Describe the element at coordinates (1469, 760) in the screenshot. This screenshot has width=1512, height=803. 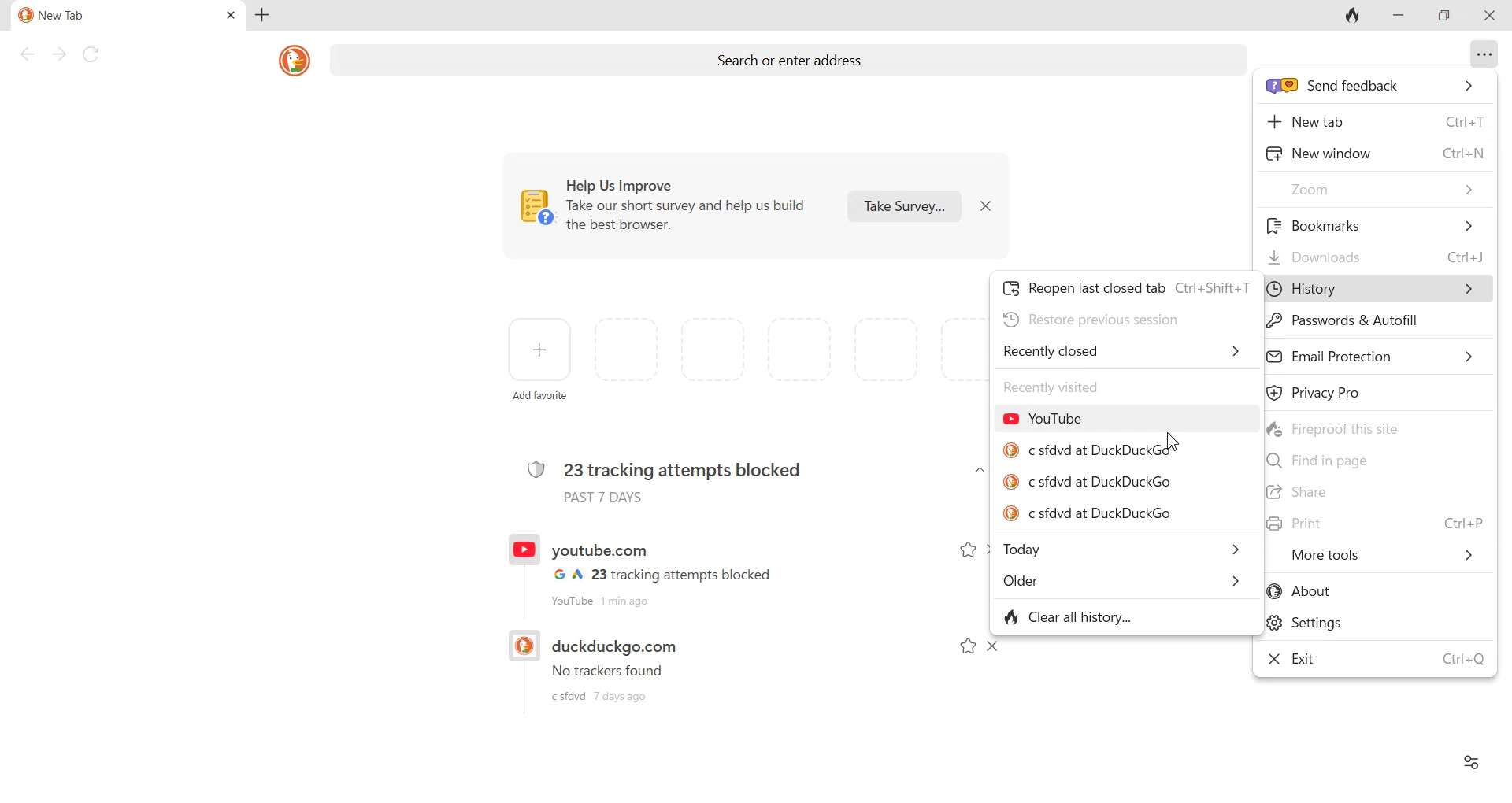
I see `Preferences` at that location.